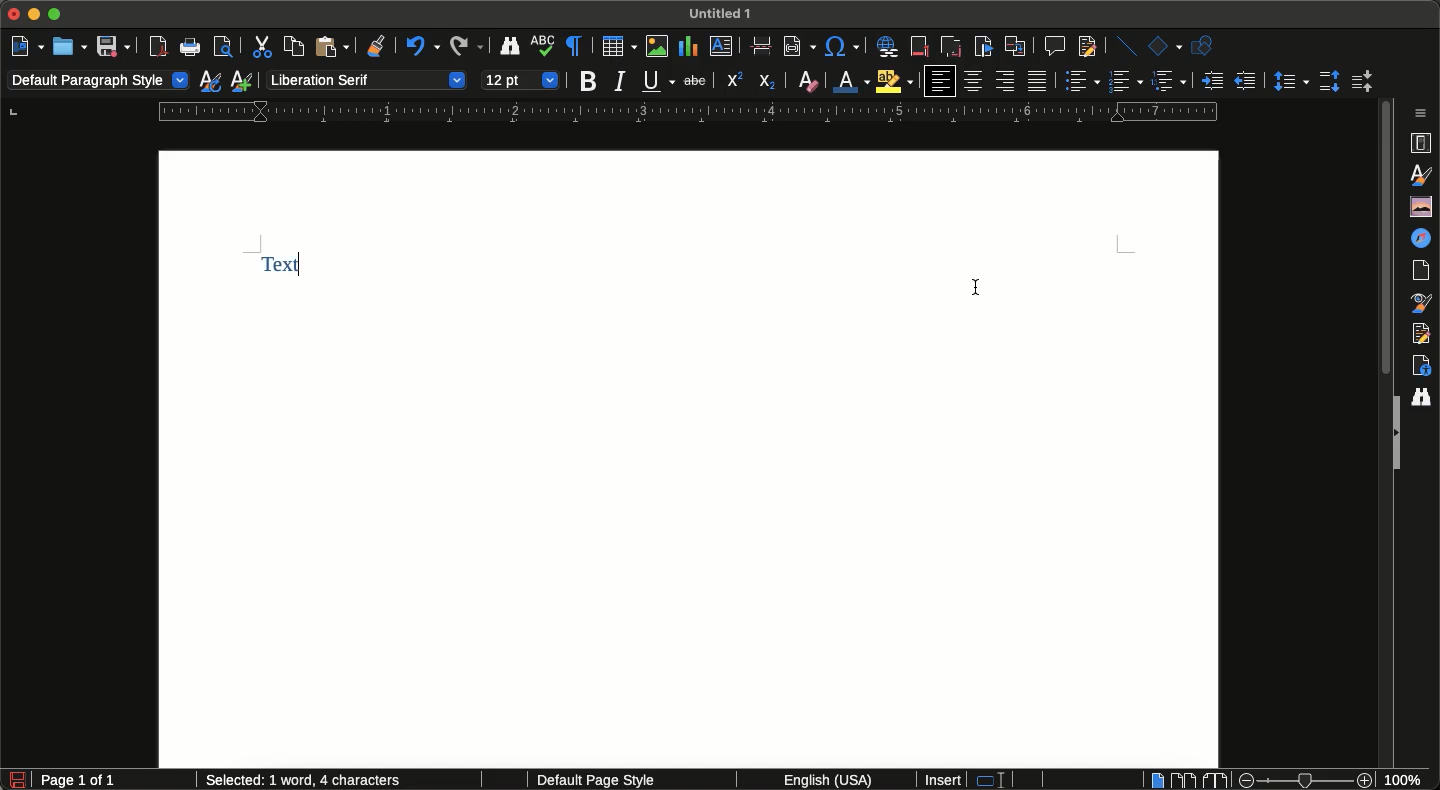 Image resolution: width=1440 pixels, height=790 pixels. I want to click on File name, so click(724, 12).